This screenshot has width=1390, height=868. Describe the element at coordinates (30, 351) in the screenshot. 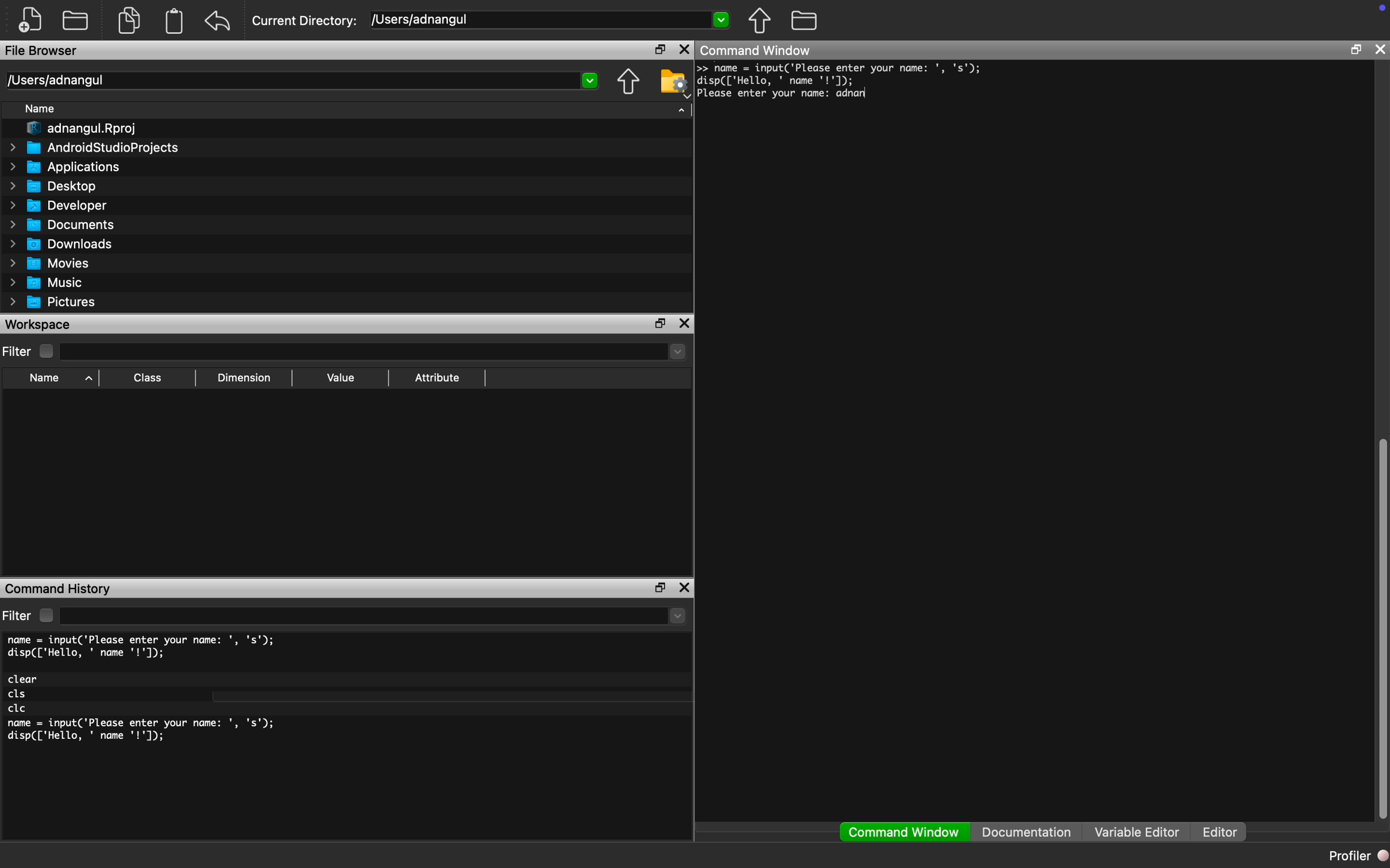

I see `Filter` at that location.